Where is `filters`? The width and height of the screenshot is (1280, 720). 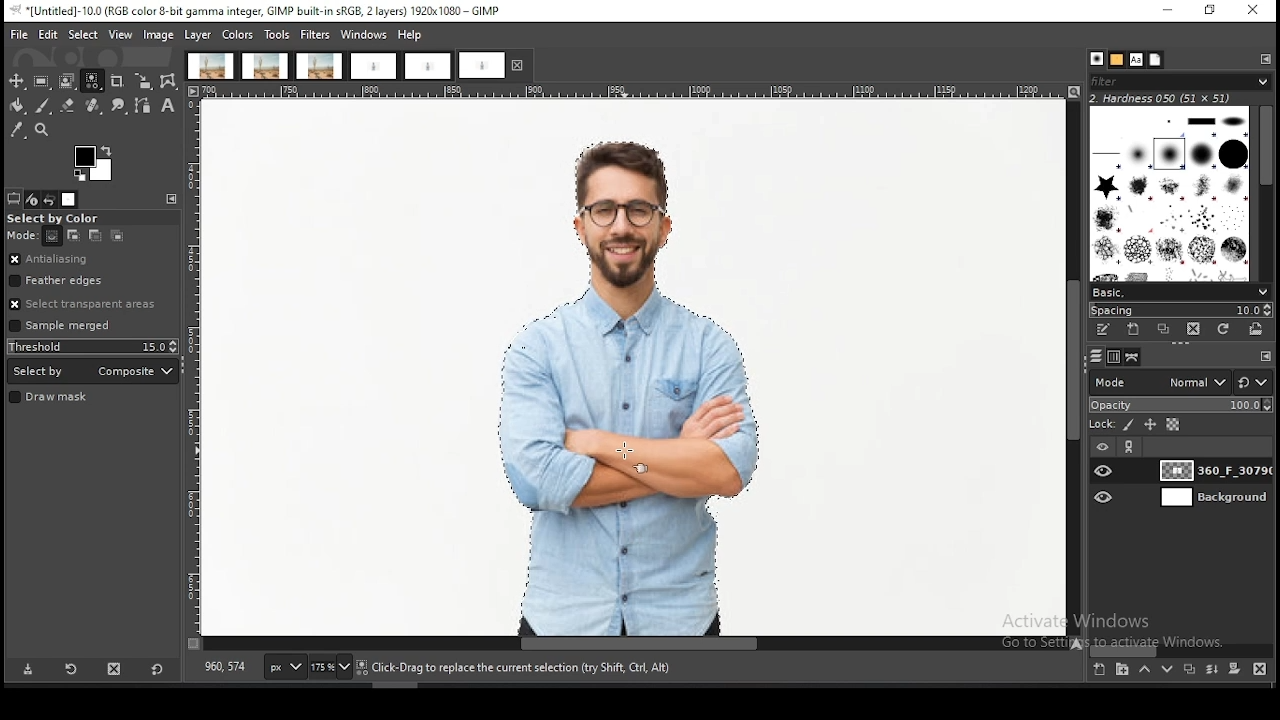 filters is located at coordinates (316, 35).